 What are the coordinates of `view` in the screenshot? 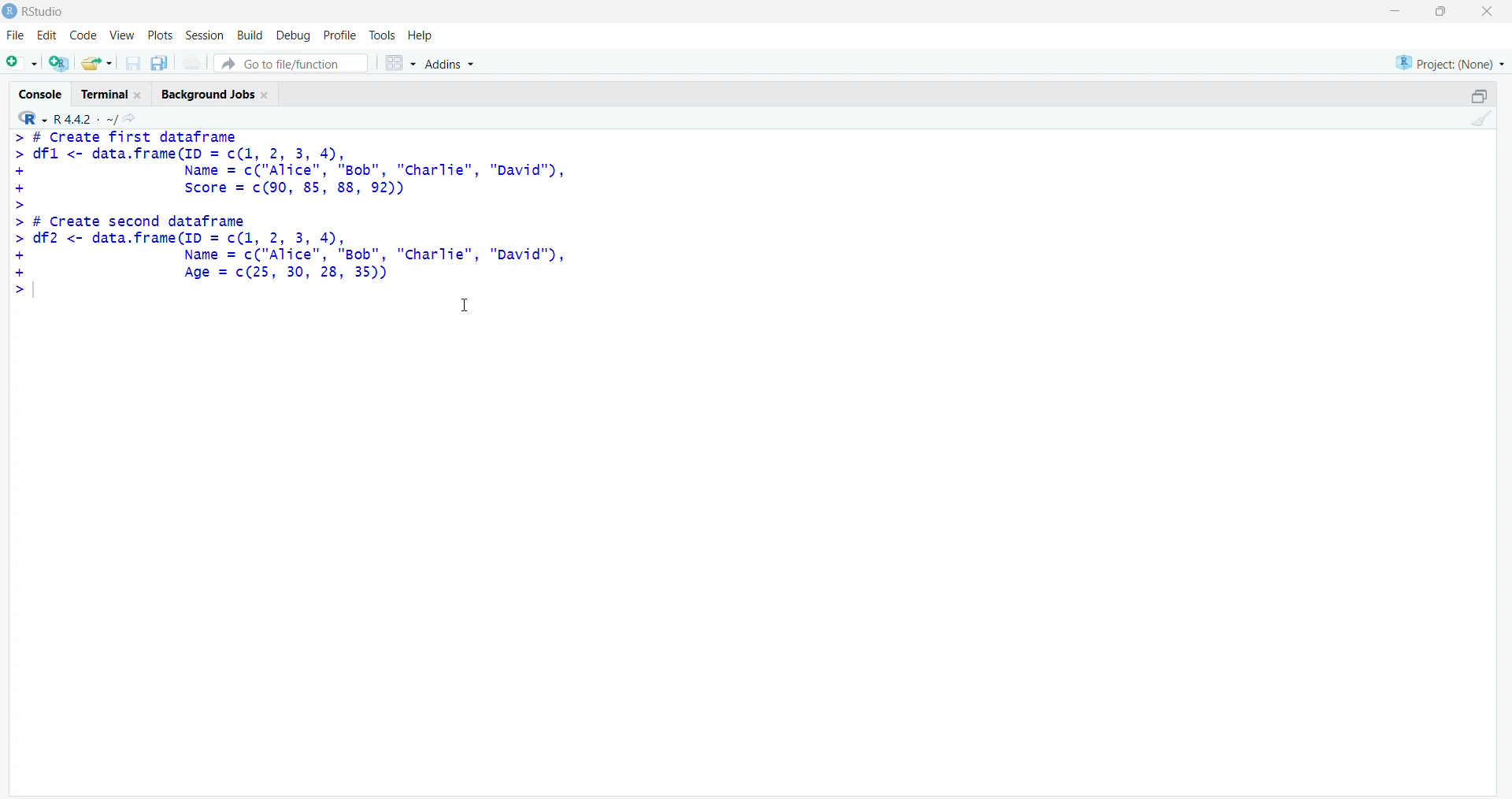 It's located at (123, 36).